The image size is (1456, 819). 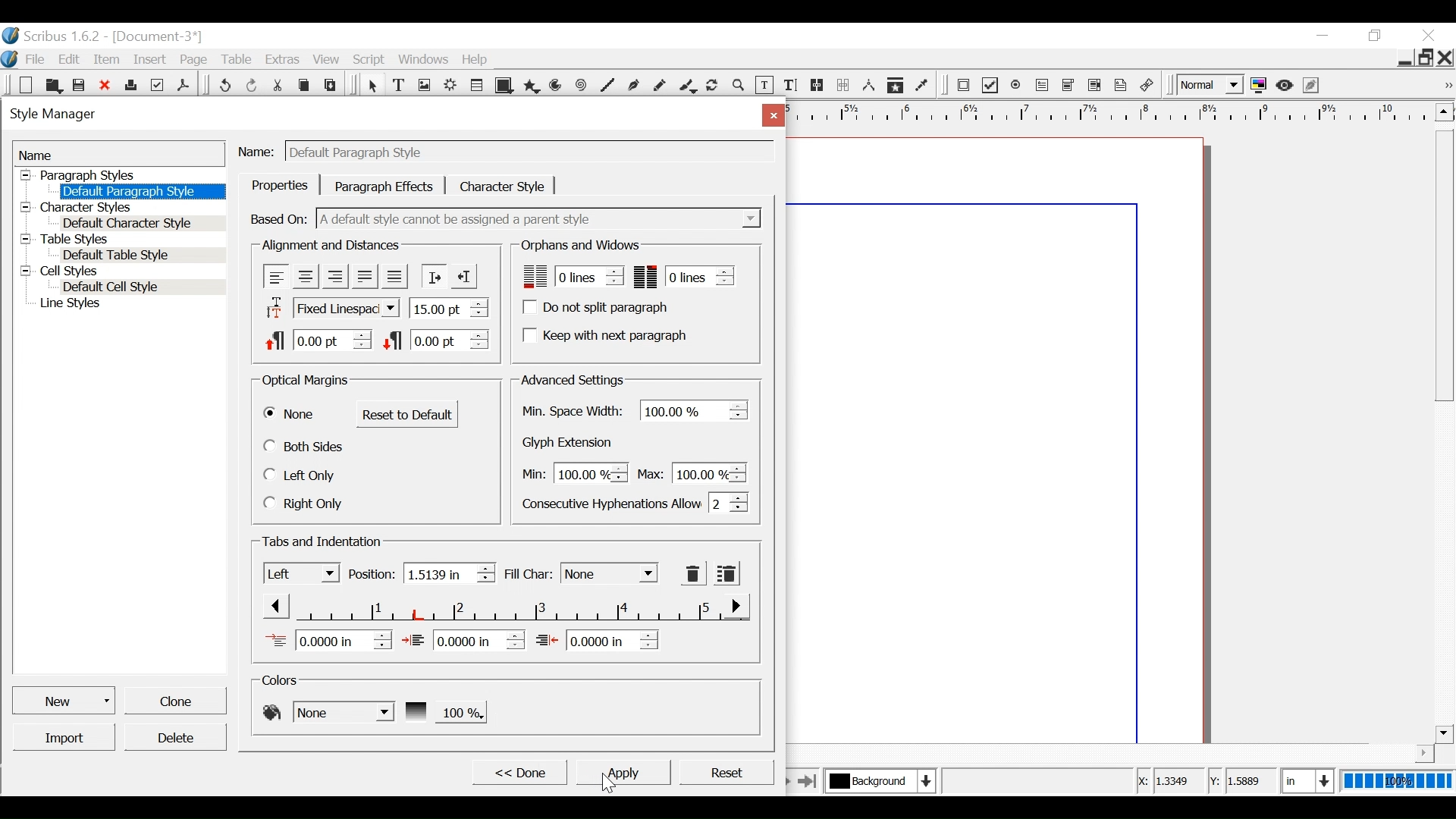 I want to click on link Annotation, so click(x=1147, y=86).